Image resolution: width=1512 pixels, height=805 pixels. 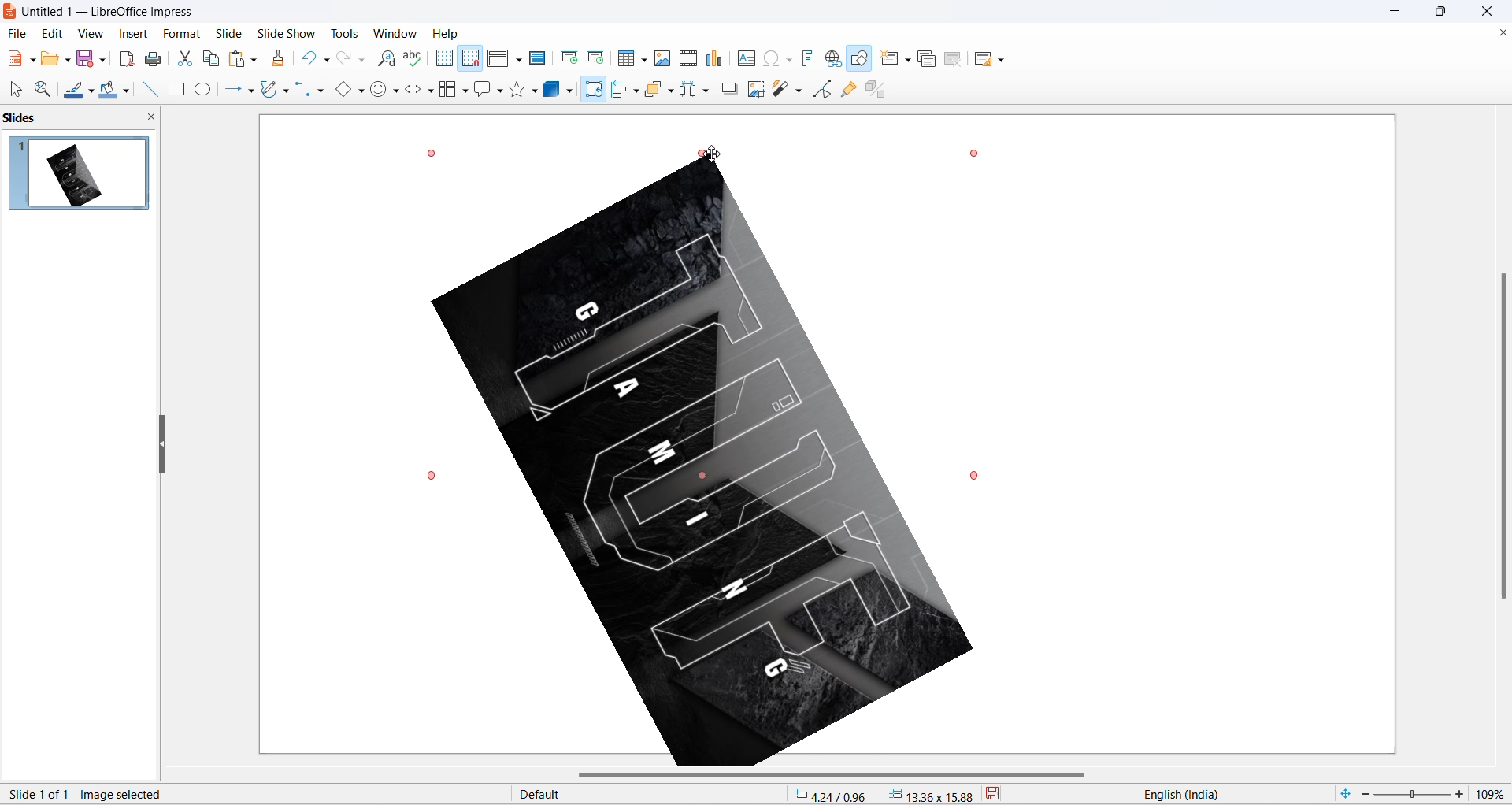 What do you see at coordinates (710, 92) in the screenshot?
I see `distribute object` at bounding box center [710, 92].